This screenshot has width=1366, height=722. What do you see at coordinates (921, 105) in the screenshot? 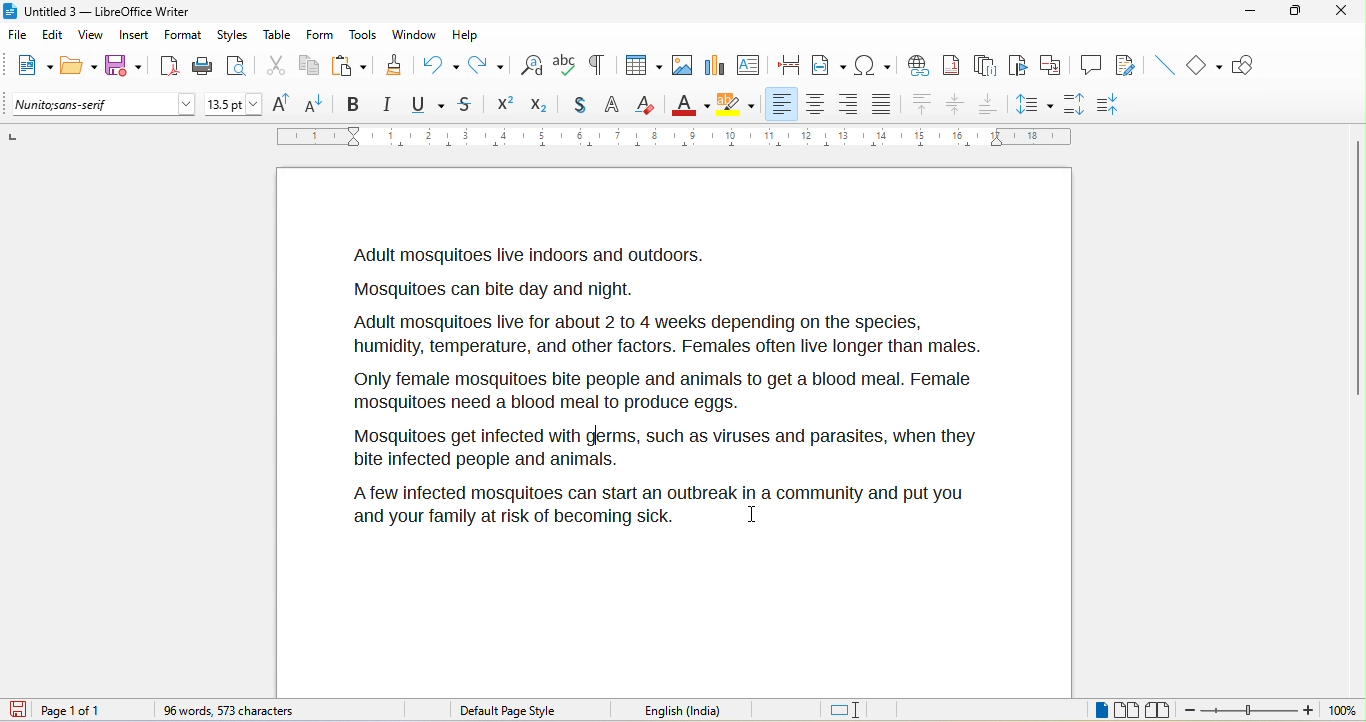
I see `align top` at bounding box center [921, 105].